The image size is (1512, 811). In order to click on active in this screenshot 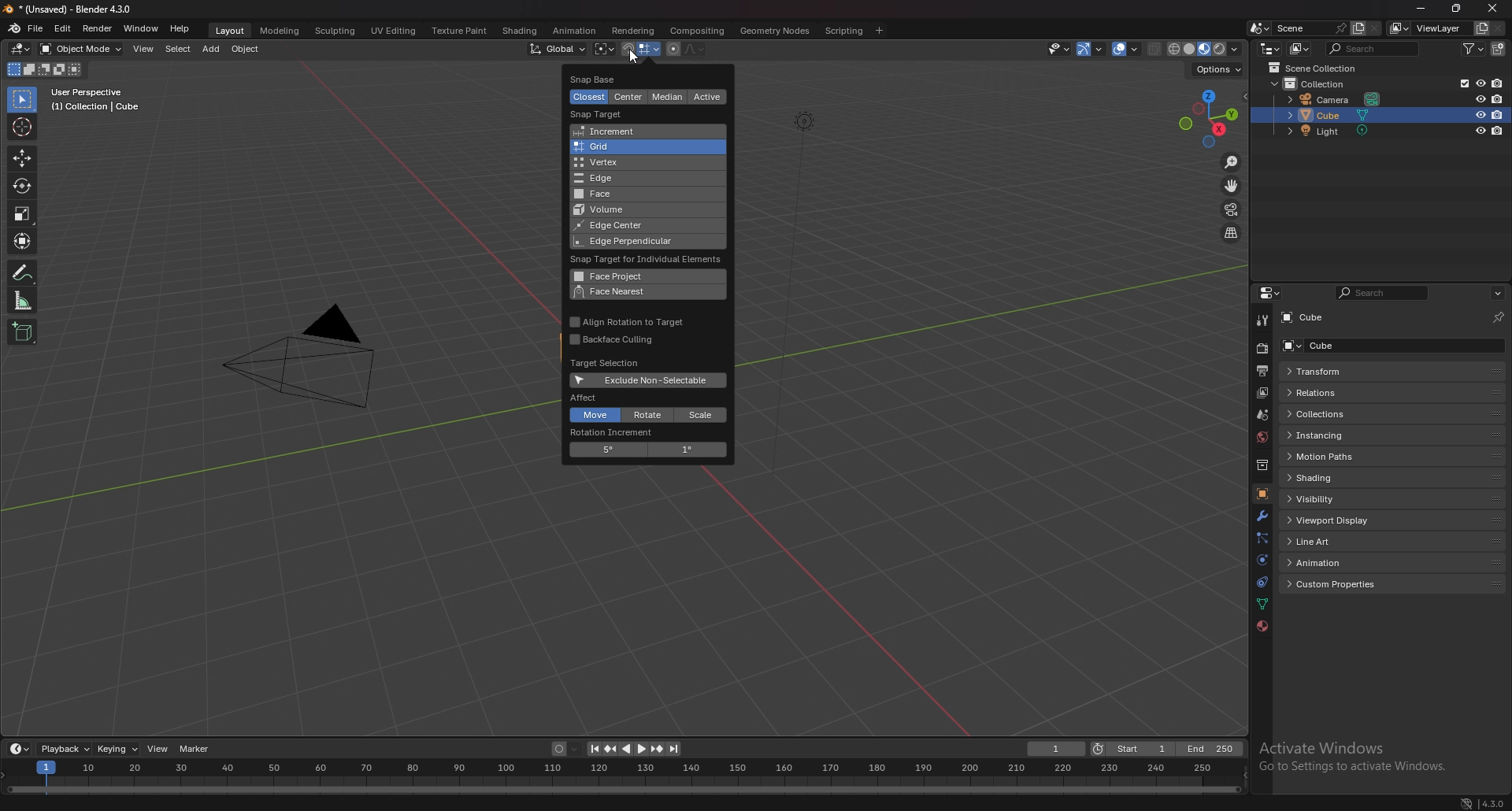, I will do `click(706, 97)`.